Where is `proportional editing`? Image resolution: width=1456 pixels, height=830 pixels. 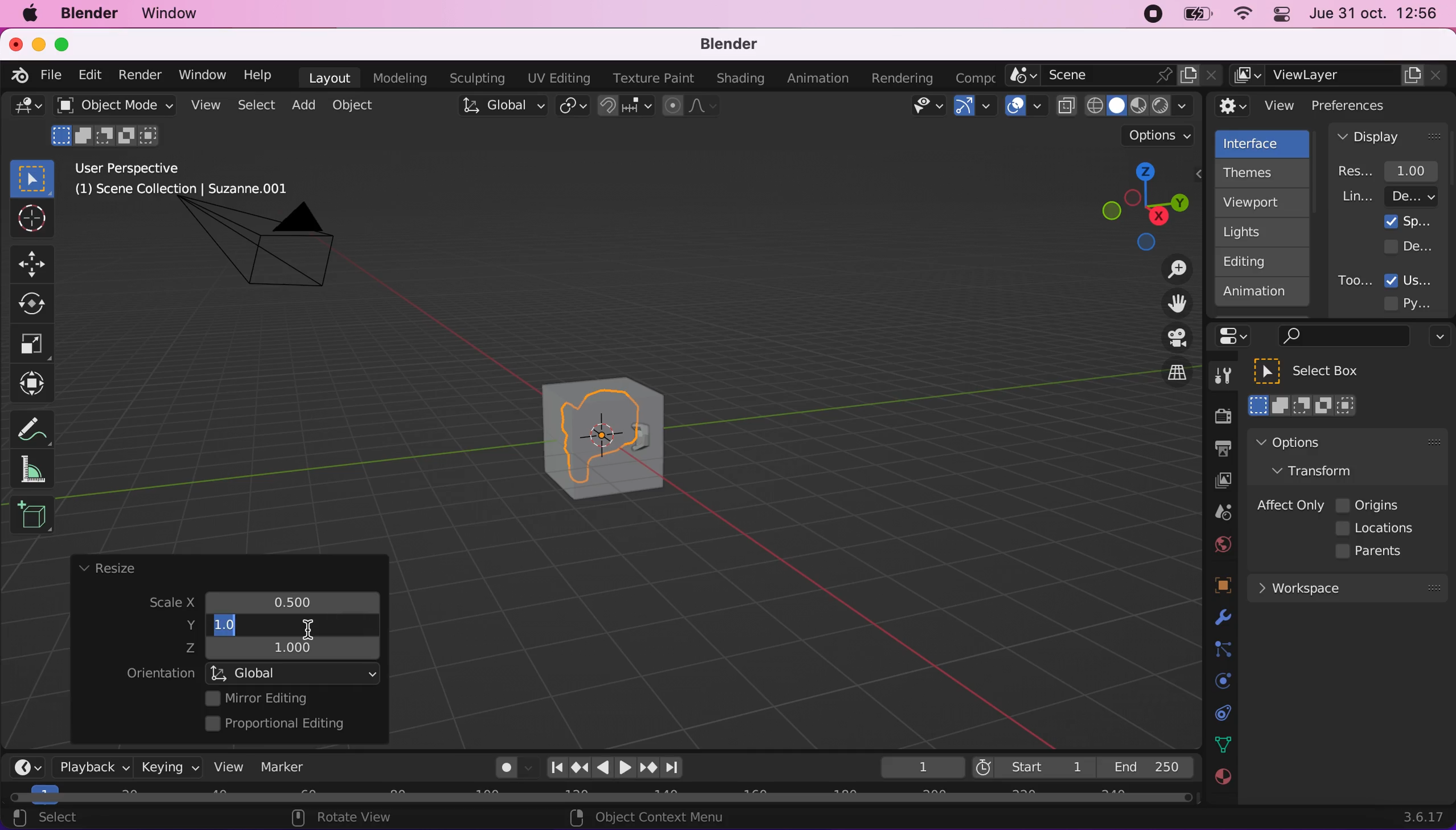
proportional editing is located at coordinates (283, 725).